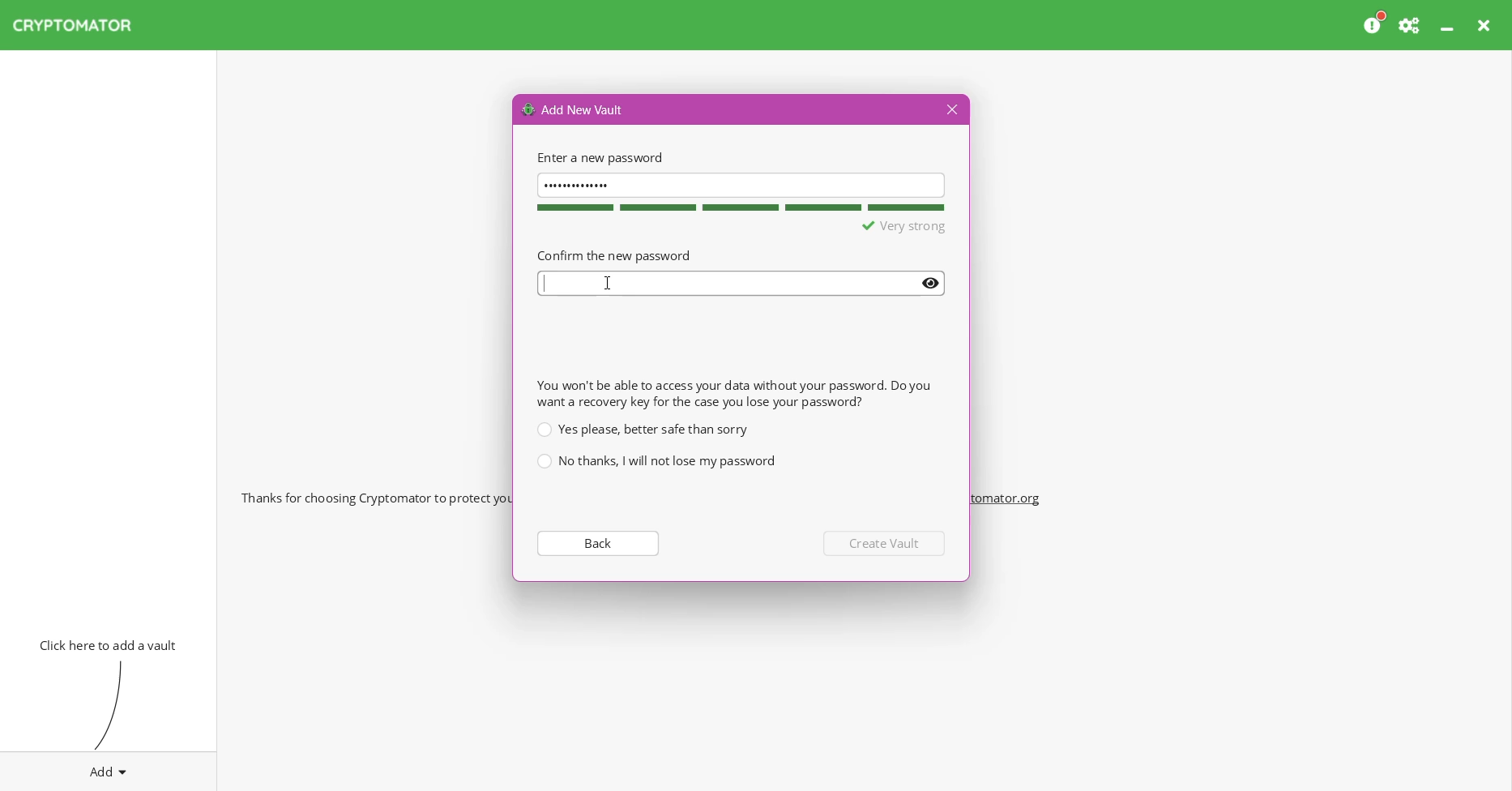 This screenshot has height=791, width=1512. Describe the element at coordinates (1486, 25) in the screenshot. I see `Close` at that location.